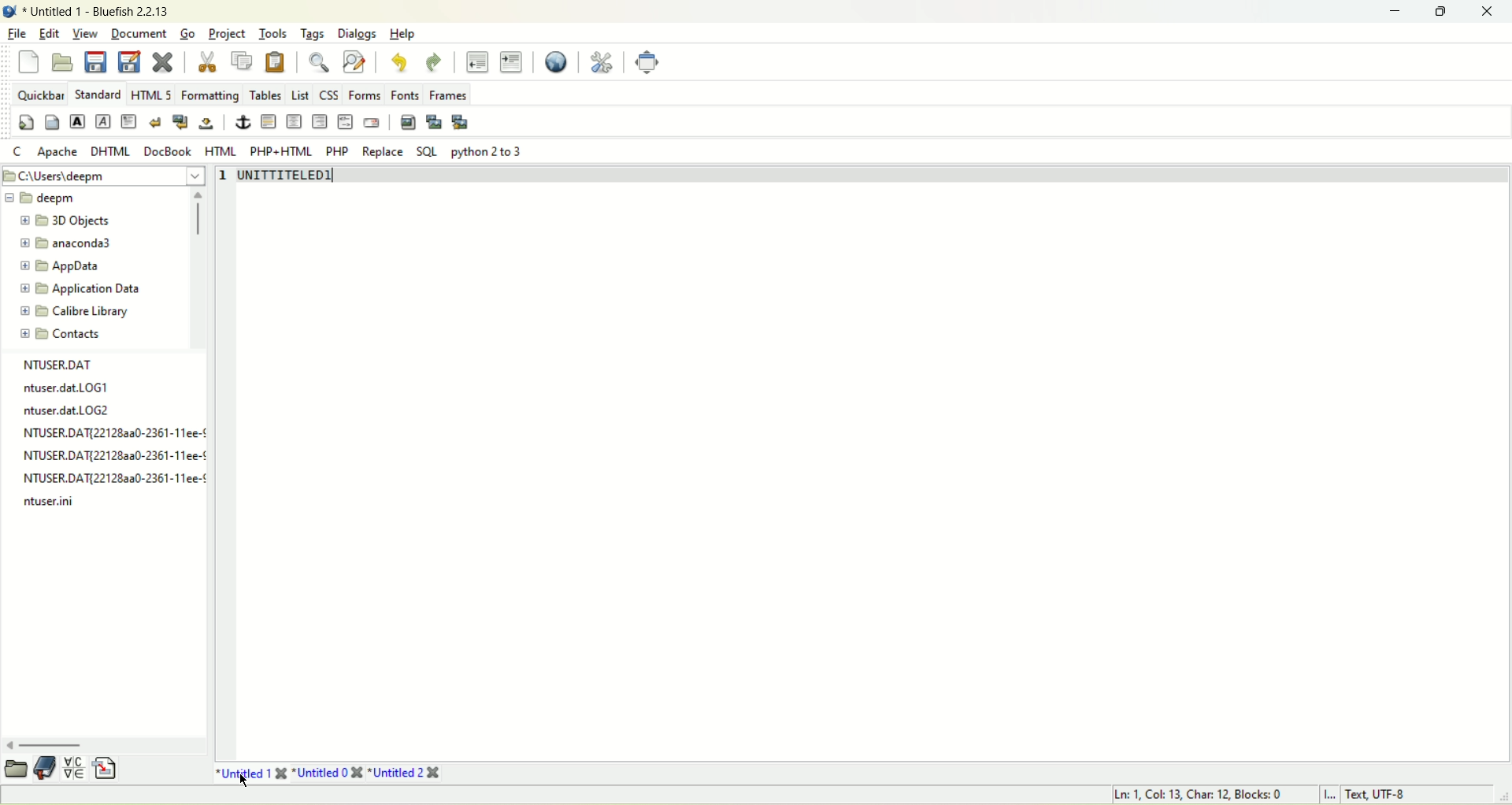  Describe the element at coordinates (223, 184) in the screenshot. I see `line number` at that location.